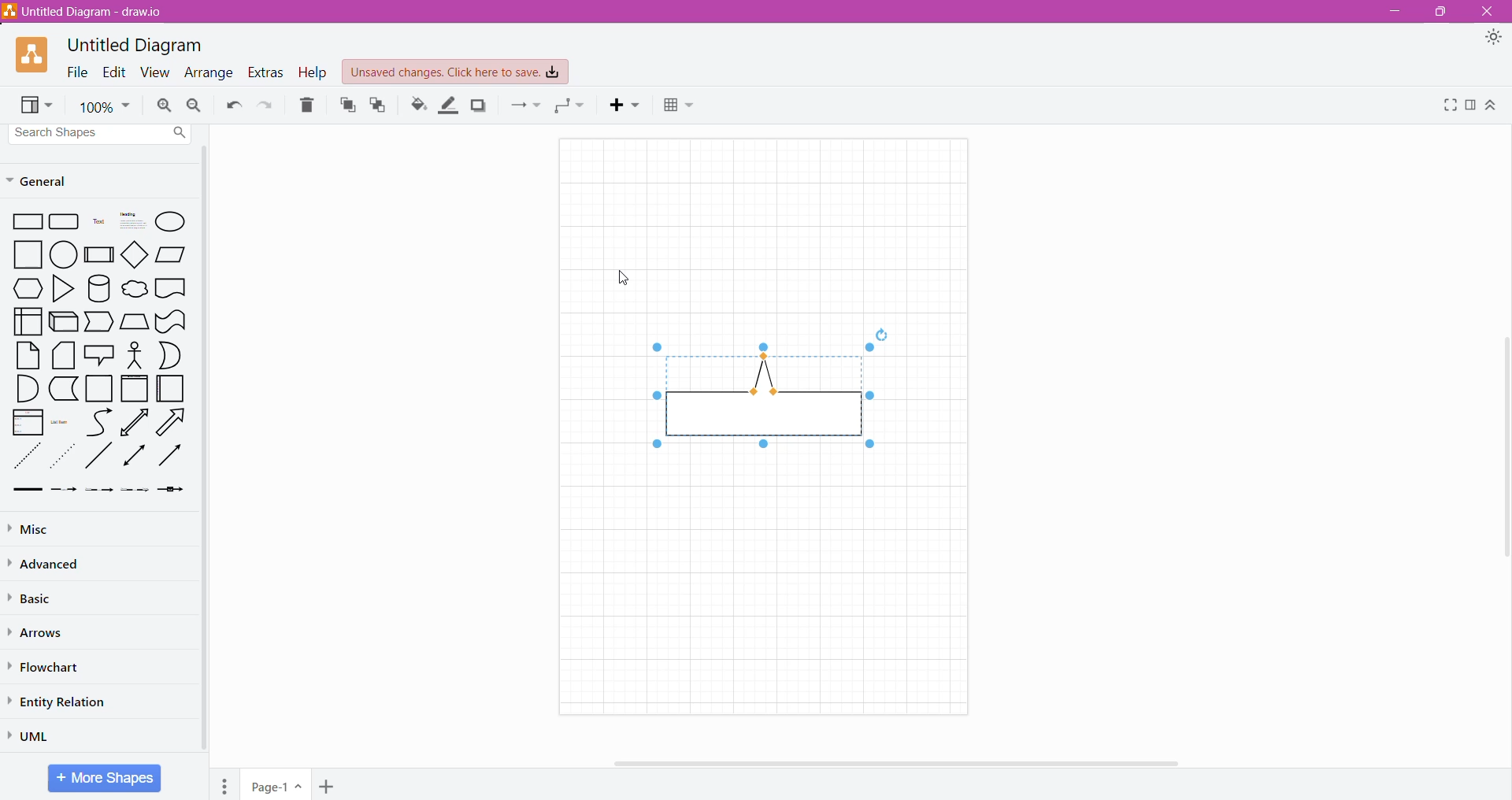 The image size is (1512, 800). I want to click on Cylinder , so click(98, 288).